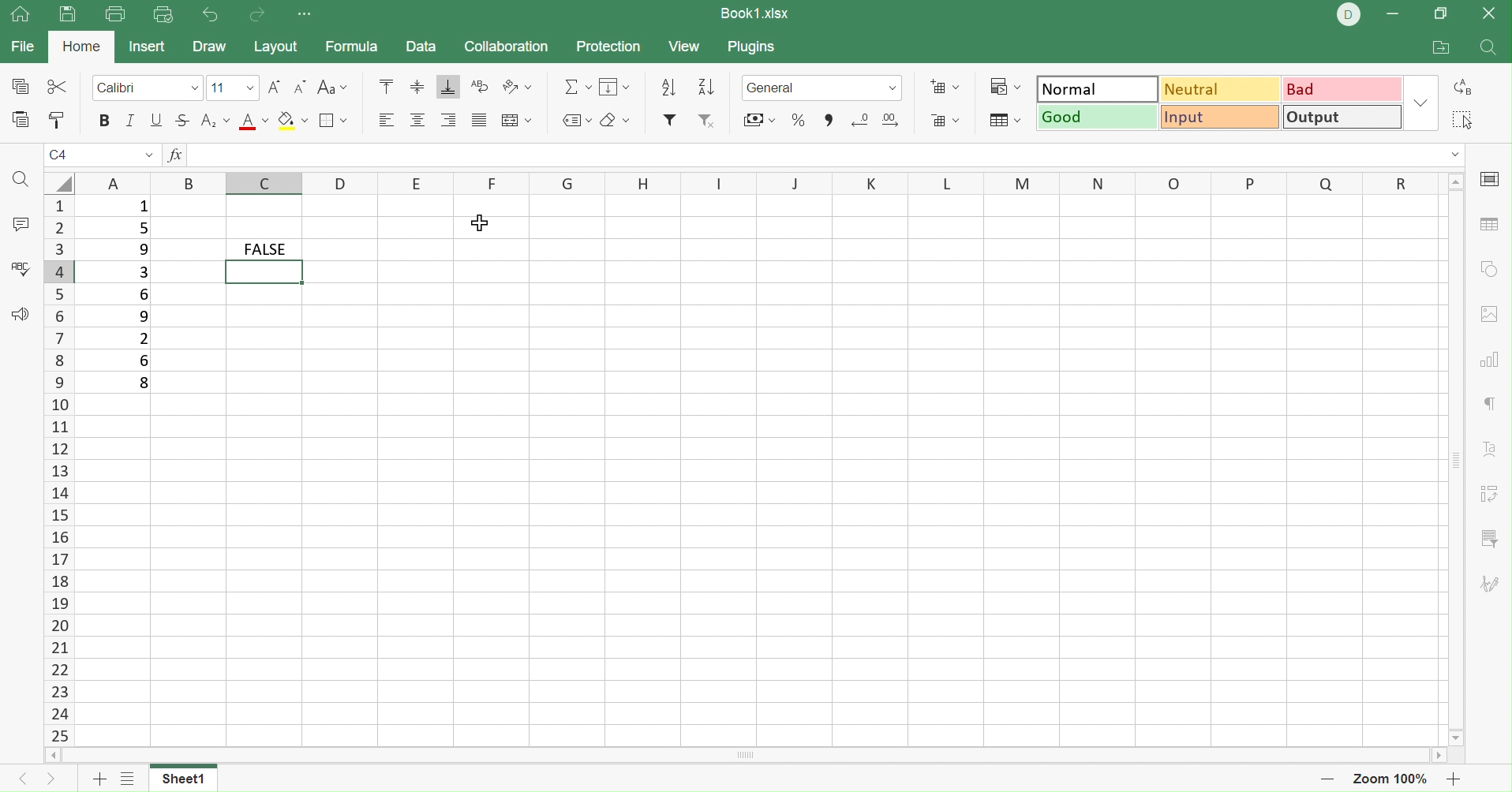  I want to click on Font, so click(148, 89).